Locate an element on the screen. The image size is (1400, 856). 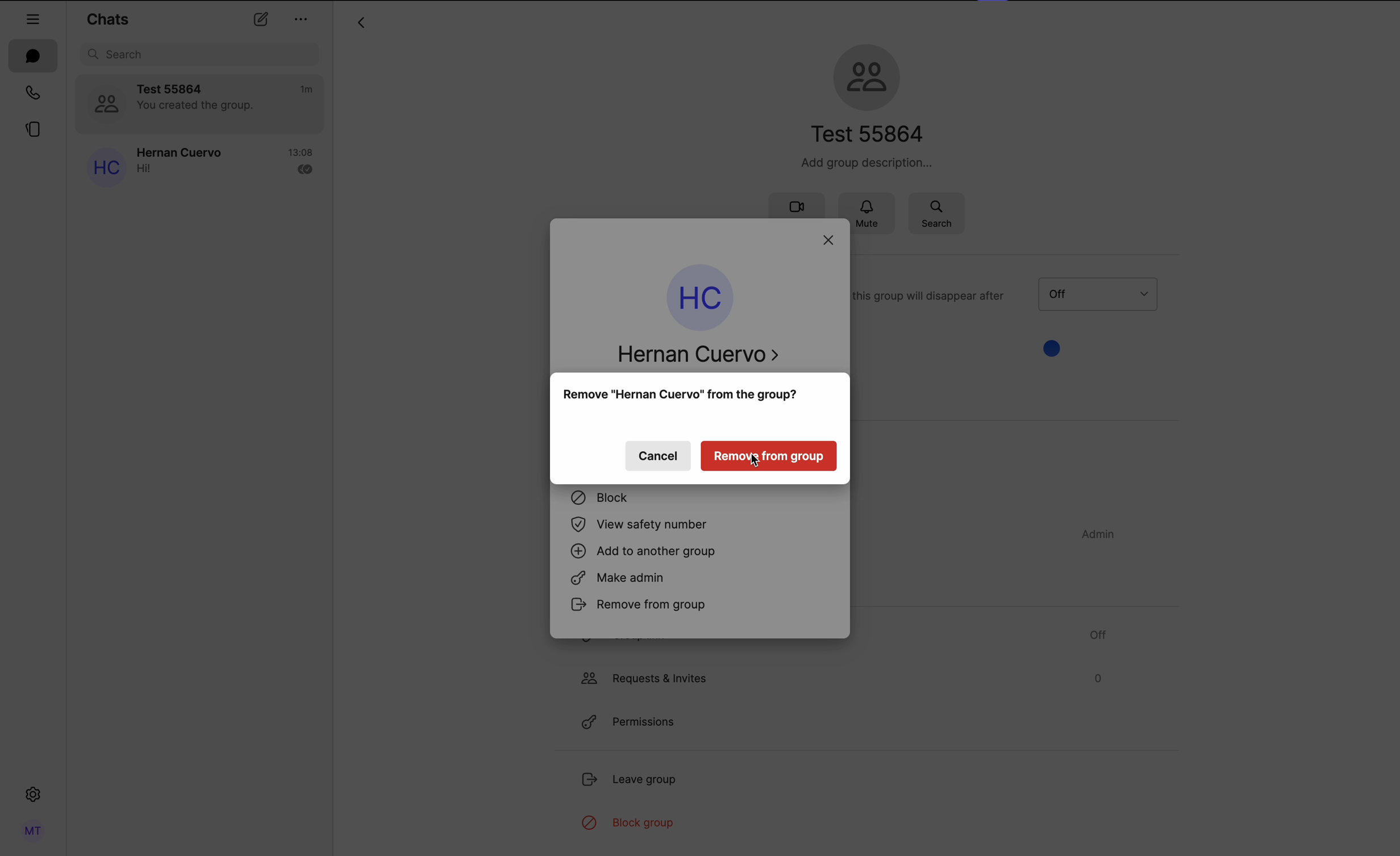
settings is located at coordinates (33, 797).